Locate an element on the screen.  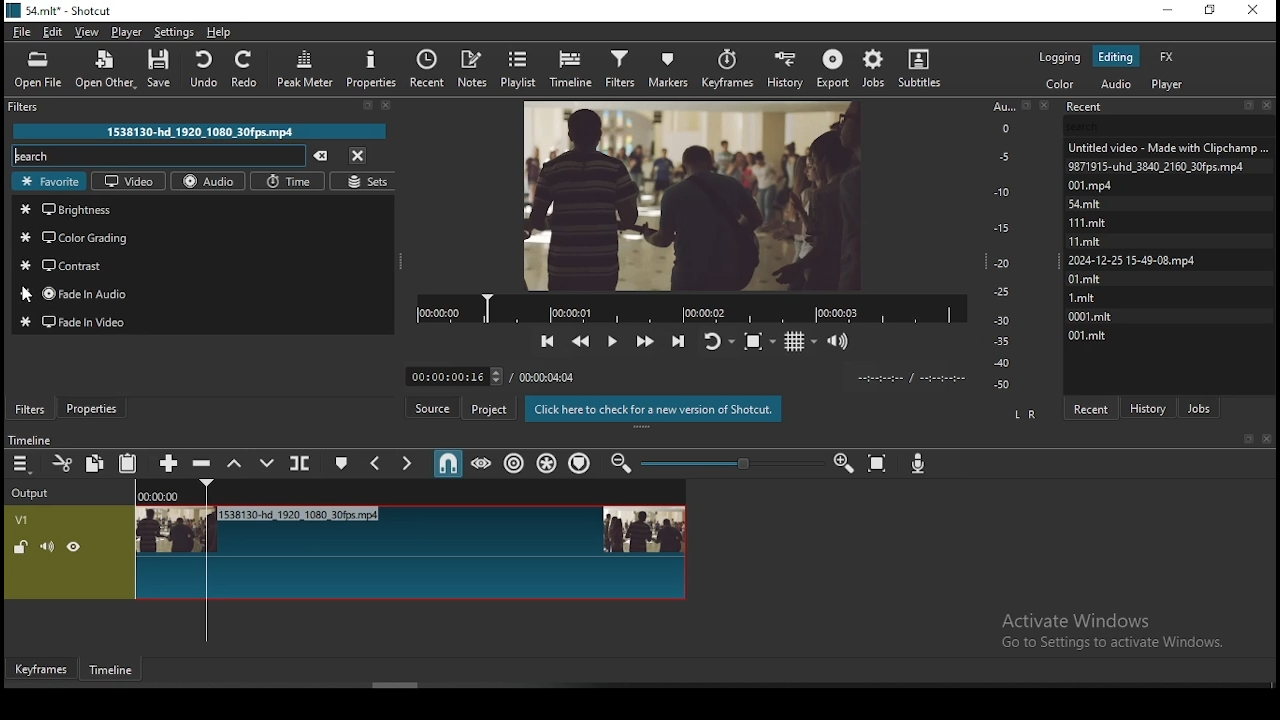
001.mpd is located at coordinates (1092, 185).